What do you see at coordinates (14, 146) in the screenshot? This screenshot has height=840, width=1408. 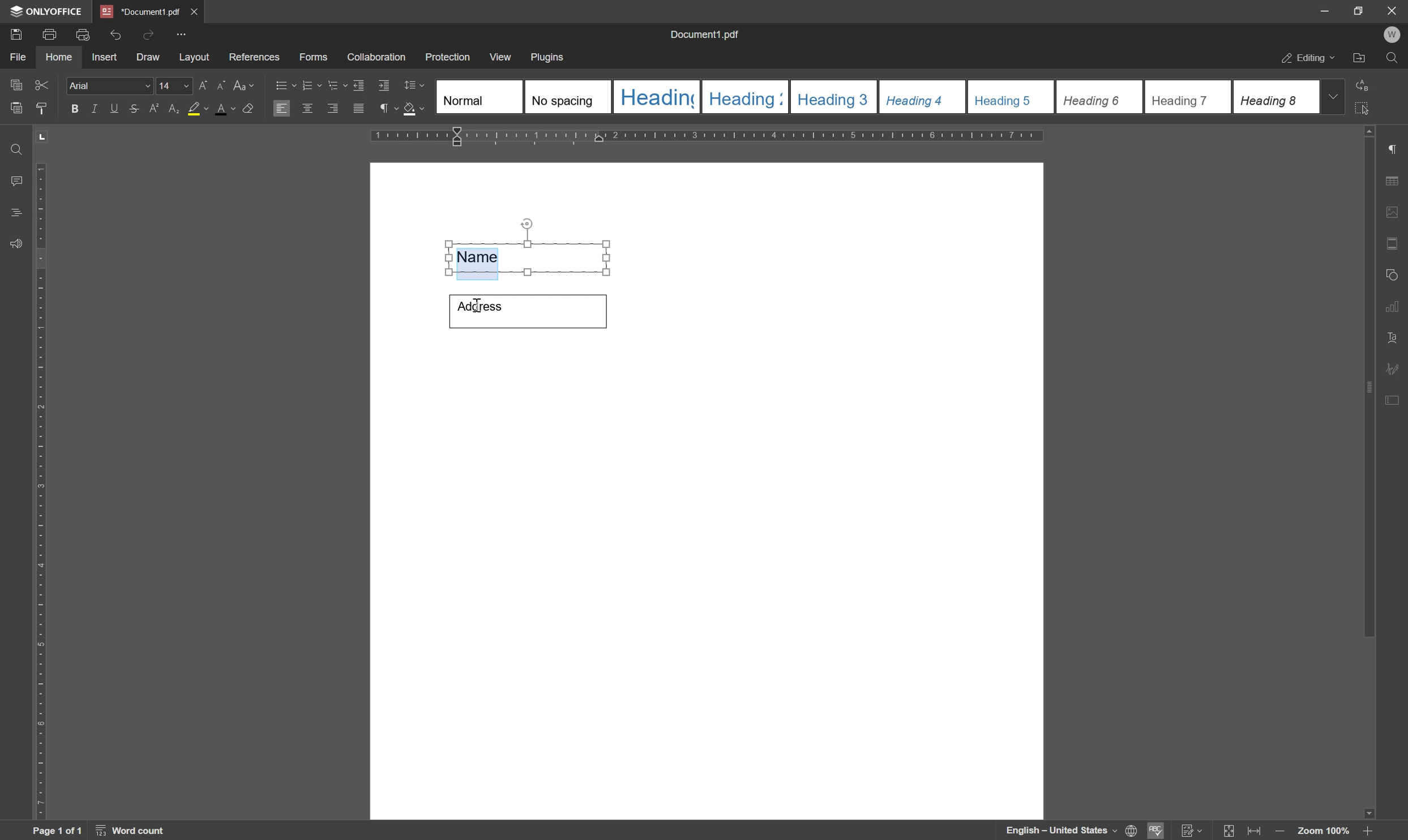 I see `find` at bounding box center [14, 146].